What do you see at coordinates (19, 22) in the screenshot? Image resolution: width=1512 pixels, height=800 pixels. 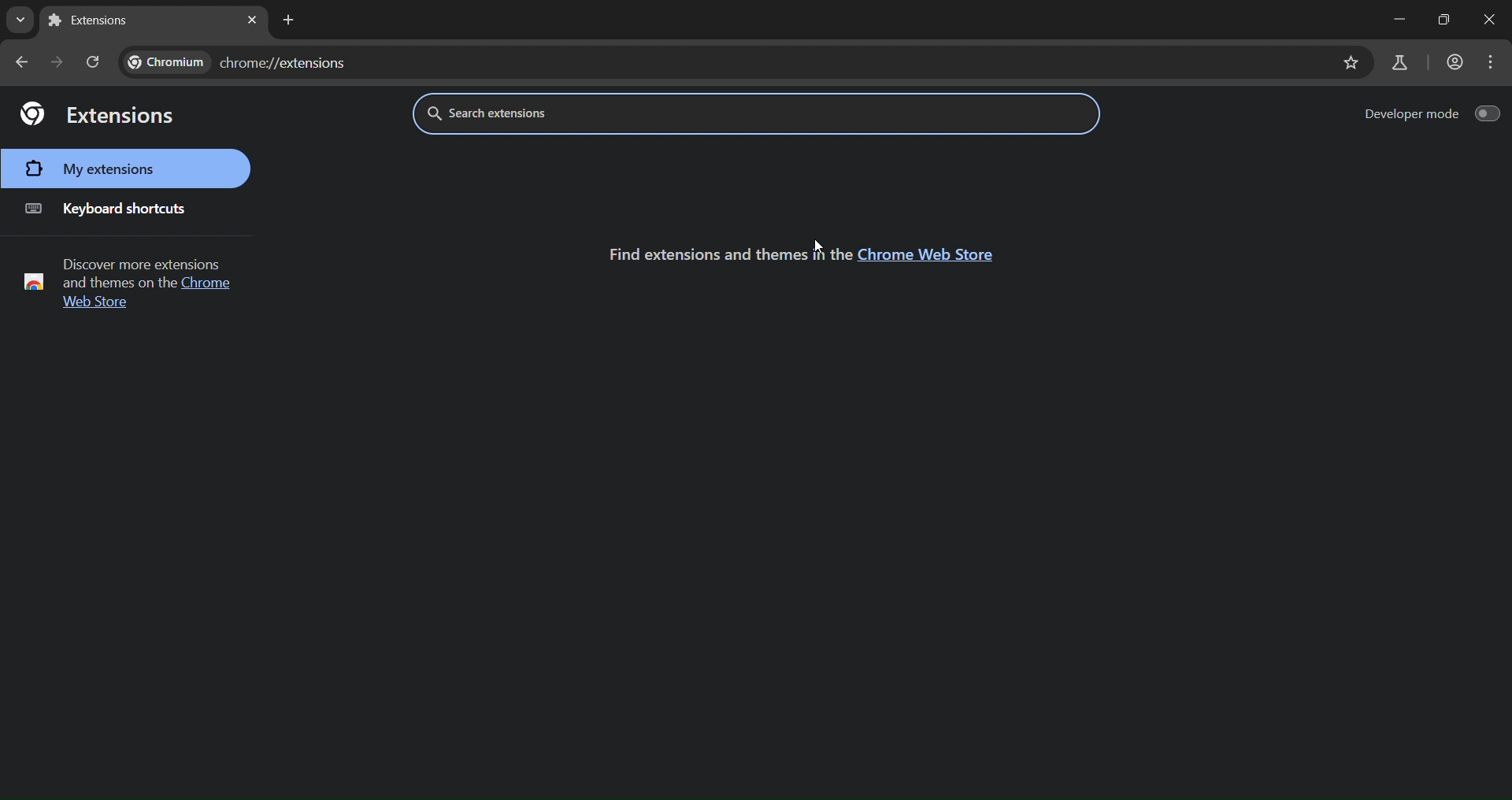 I see `search tabs` at bounding box center [19, 22].